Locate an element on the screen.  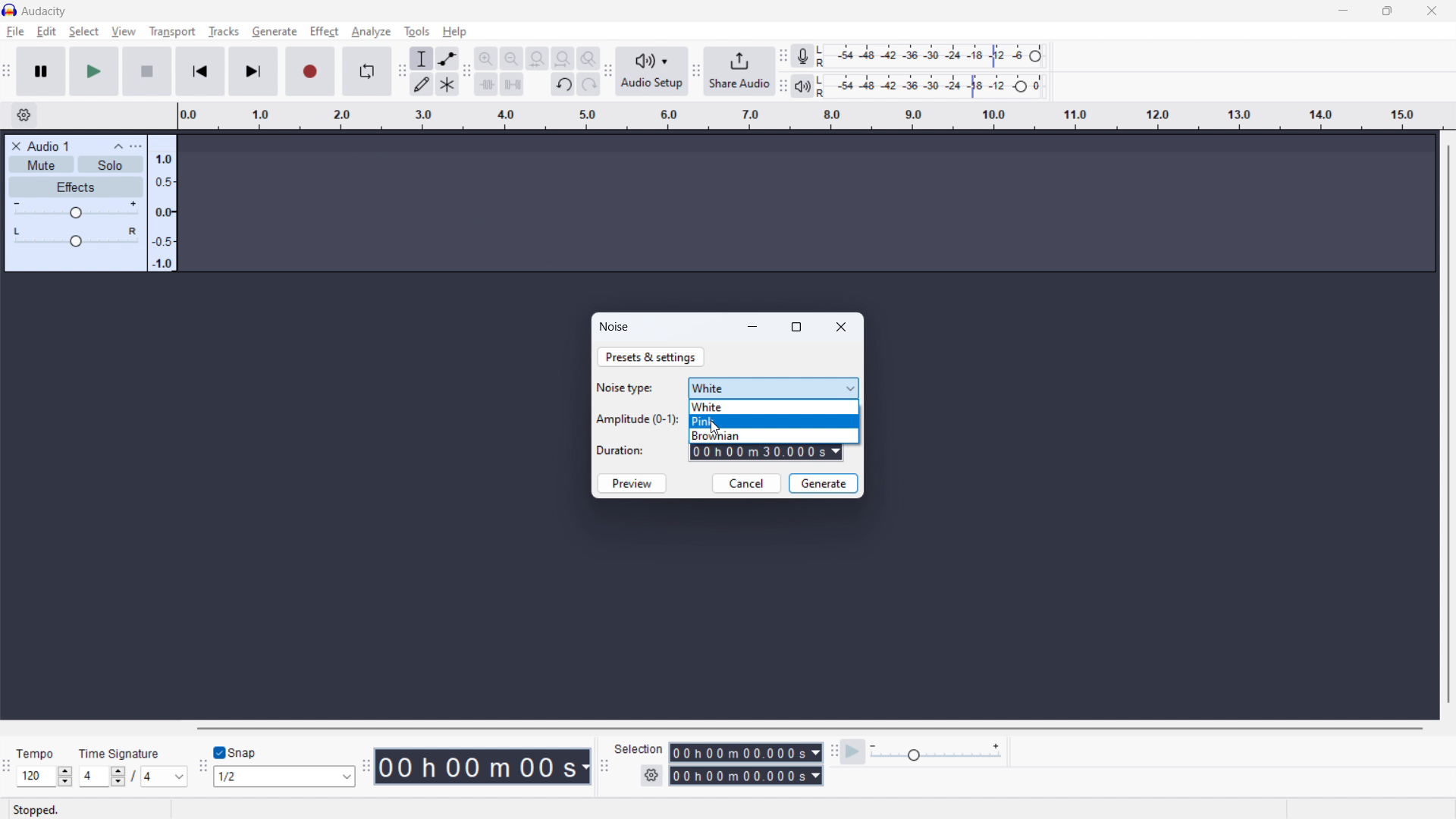
Stopped is located at coordinates (36, 809).